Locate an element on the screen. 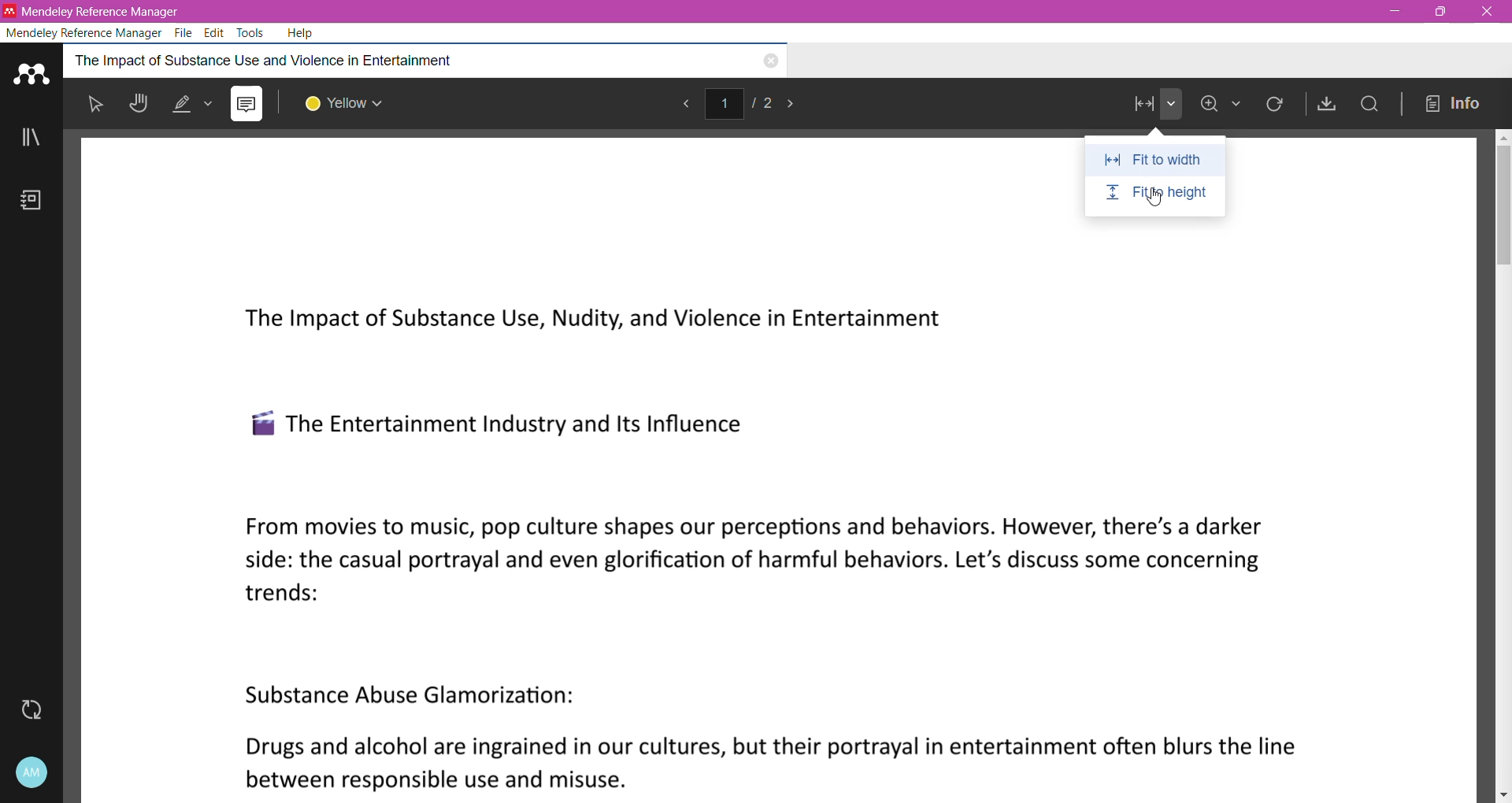 The width and height of the screenshot is (1512, 803). Set Page View Mode is located at coordinates (1151, 106).